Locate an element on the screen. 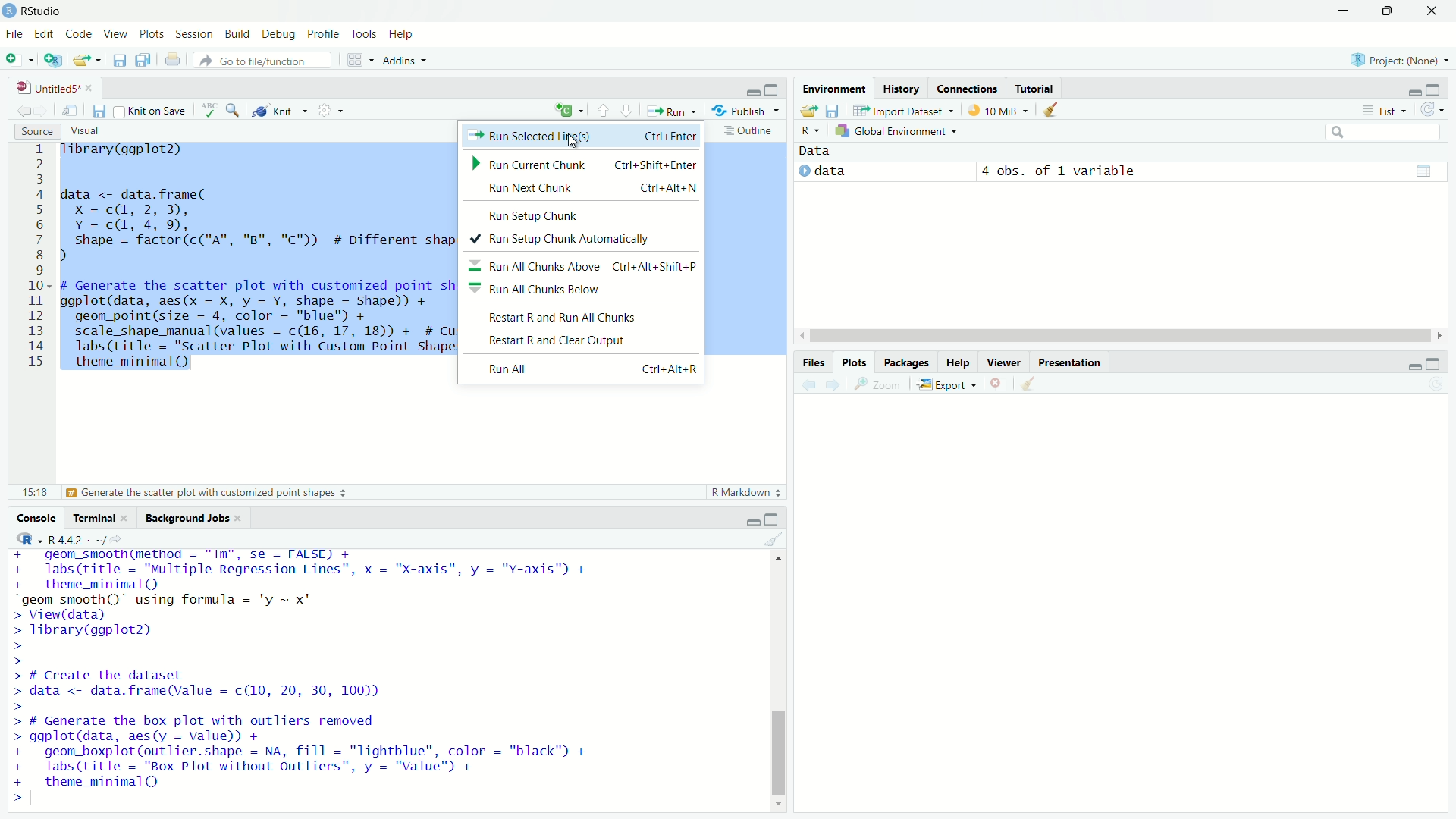  Run All Chunks Below is located at coordinates (581, 288).